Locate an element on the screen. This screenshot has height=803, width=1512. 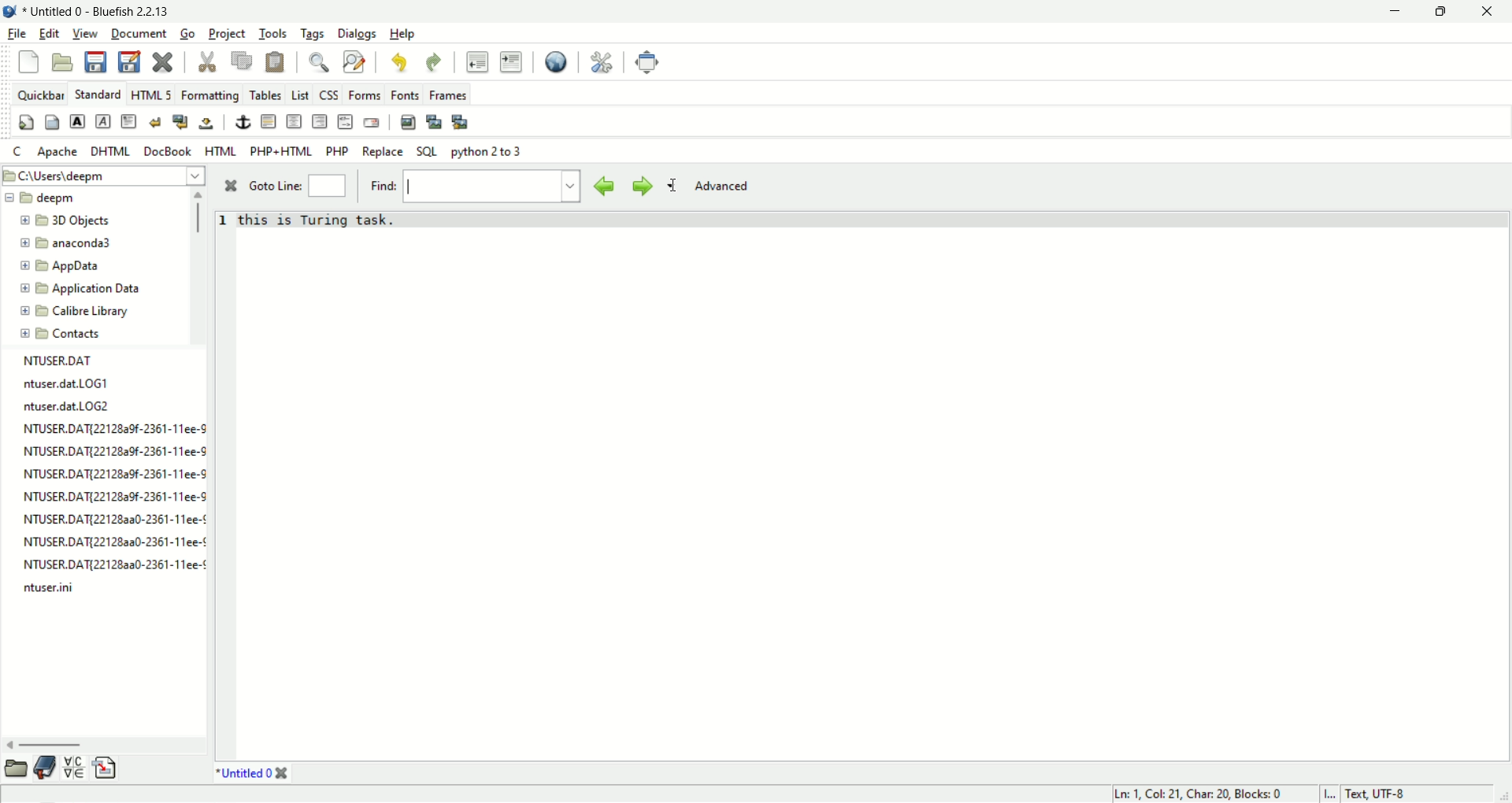
snippets is located at coordinates (106, 771).